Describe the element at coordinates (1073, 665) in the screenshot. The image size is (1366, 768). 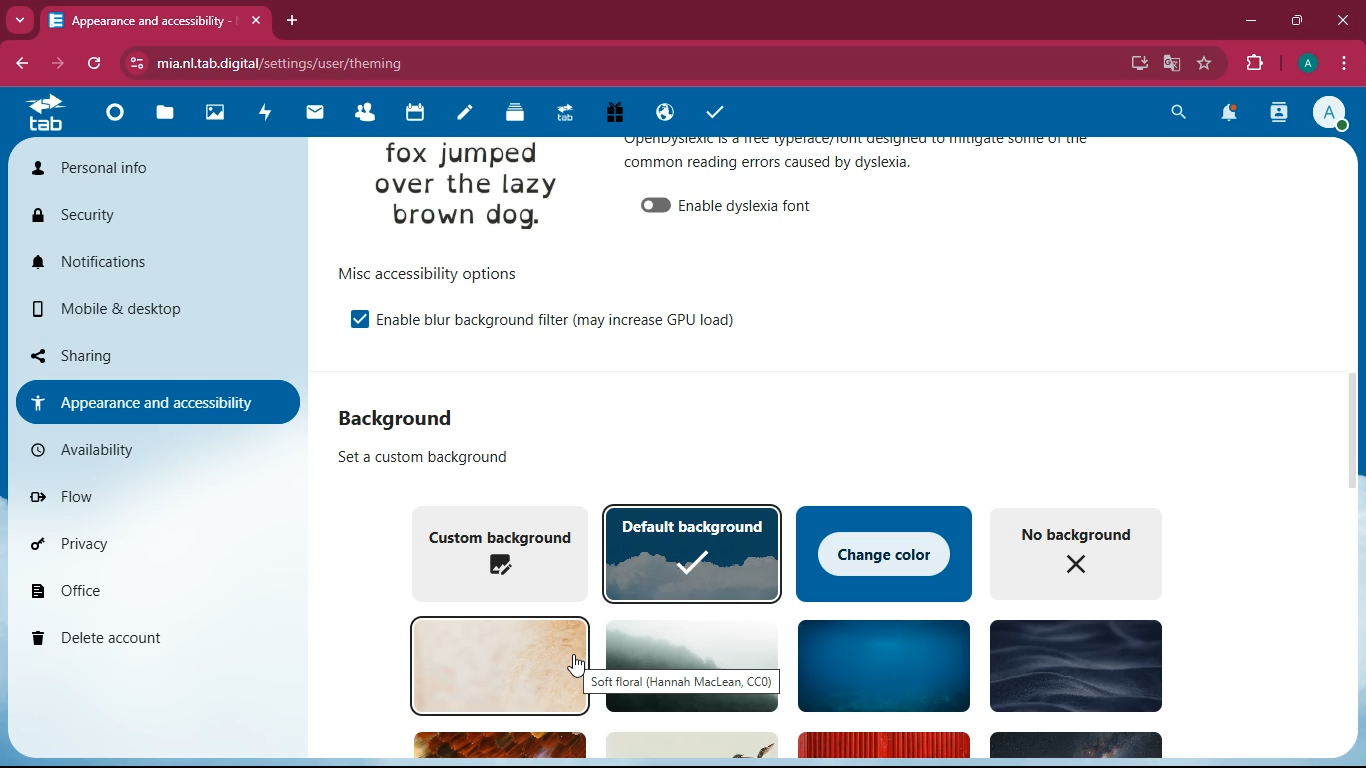
I see `background` at that location.